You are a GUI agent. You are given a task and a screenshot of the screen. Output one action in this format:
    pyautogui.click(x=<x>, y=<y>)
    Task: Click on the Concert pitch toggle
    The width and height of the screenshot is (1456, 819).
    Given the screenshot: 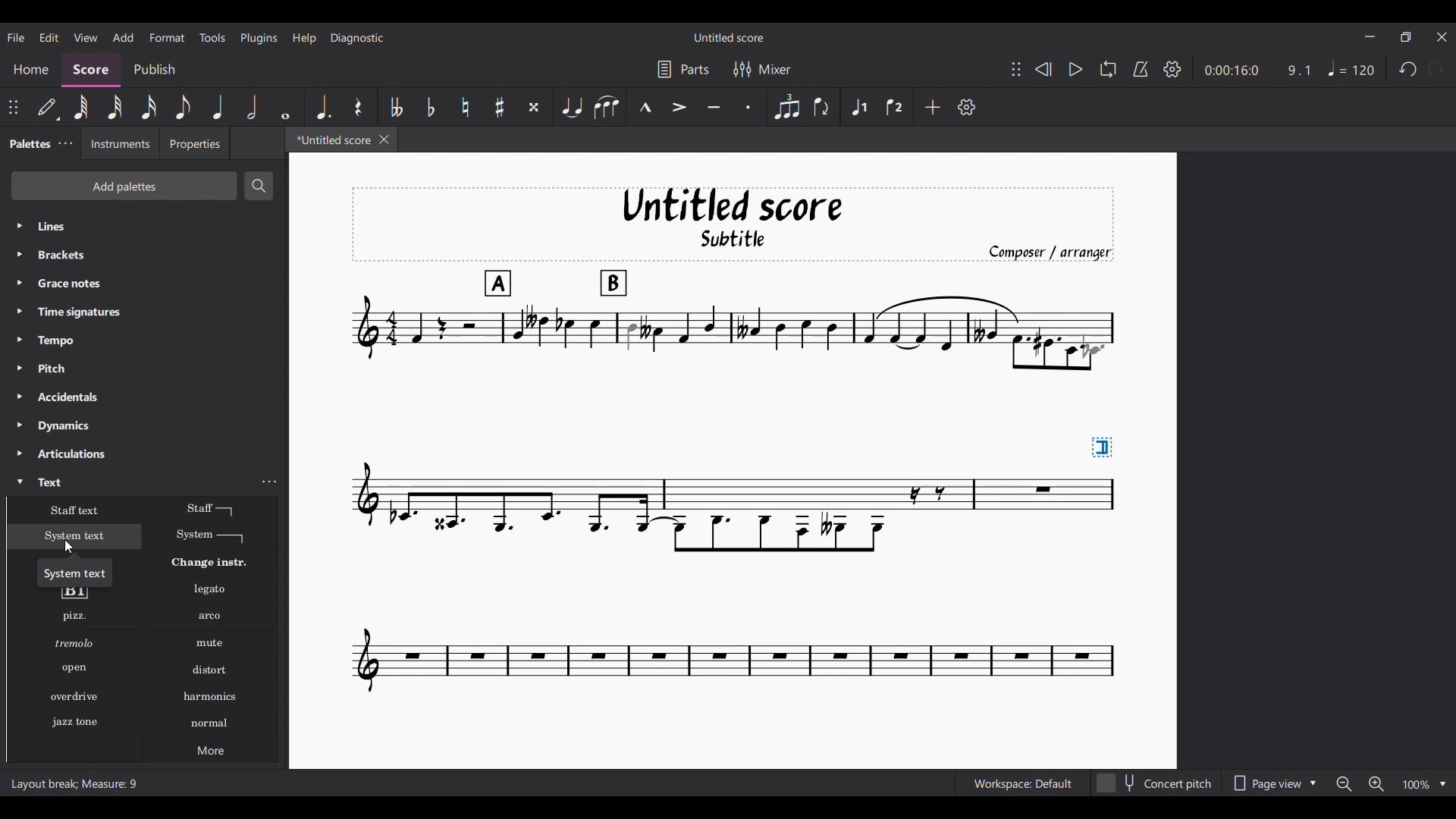 What is the action you would take?
    pyautogui.click(x=1155, y=783)
    